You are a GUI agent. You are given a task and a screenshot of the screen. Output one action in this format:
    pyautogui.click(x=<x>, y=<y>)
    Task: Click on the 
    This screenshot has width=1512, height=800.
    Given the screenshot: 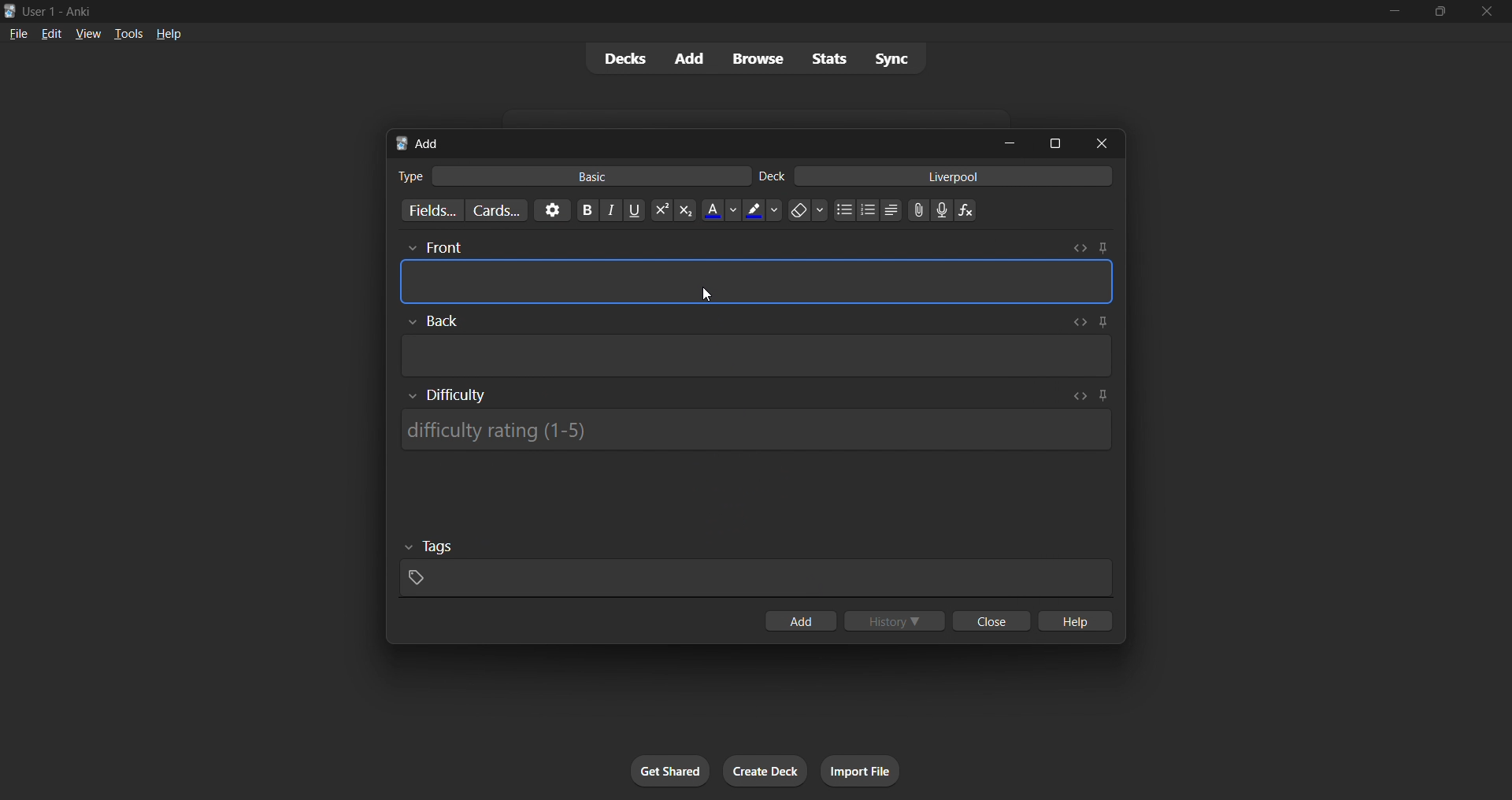 What is the action you would take?
    pyautogui.click(x=433, y=321)
    